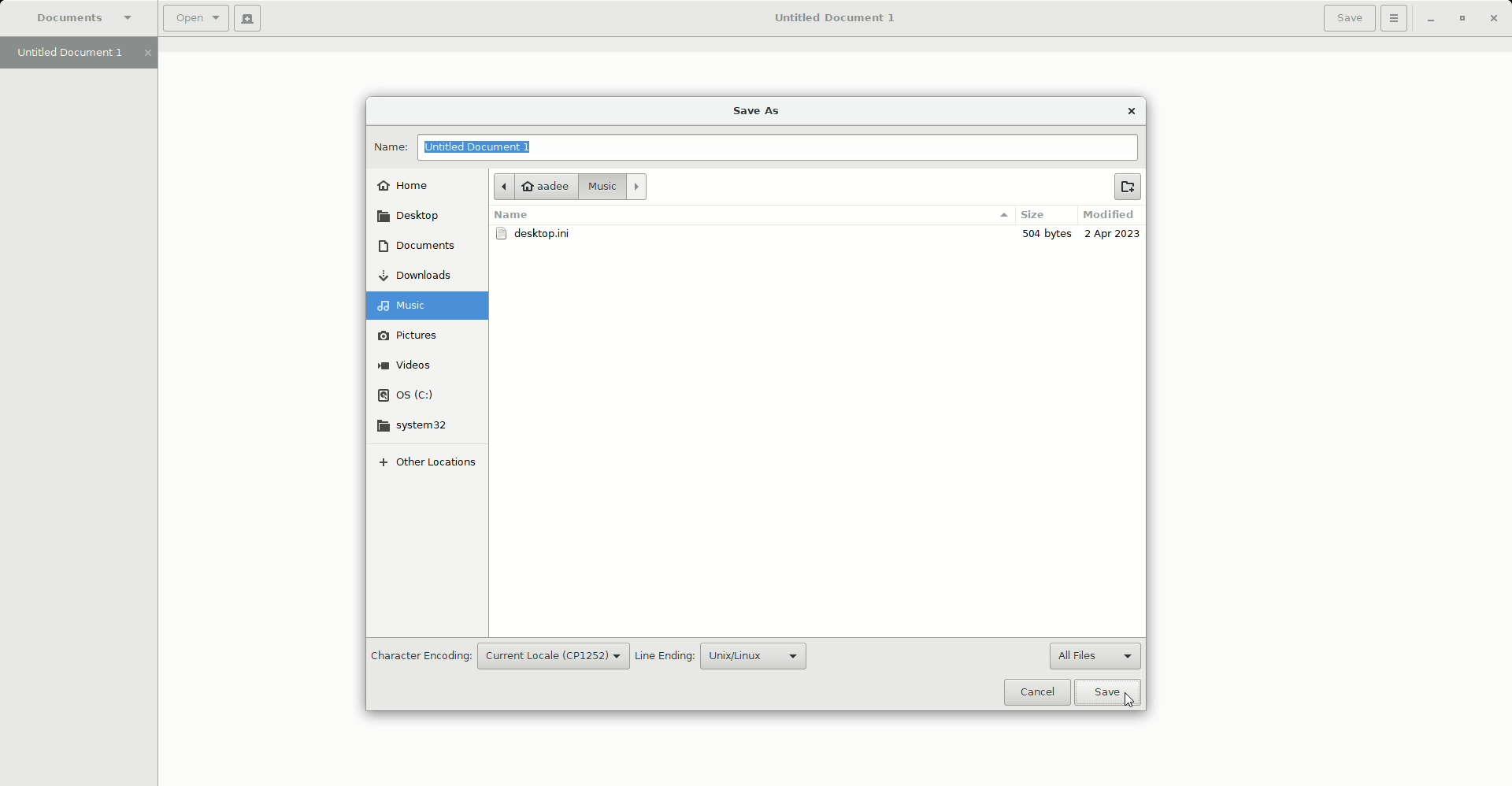  Describe the element at coordinates (1031, 216) in the screenshot. I see `Size` at that location.